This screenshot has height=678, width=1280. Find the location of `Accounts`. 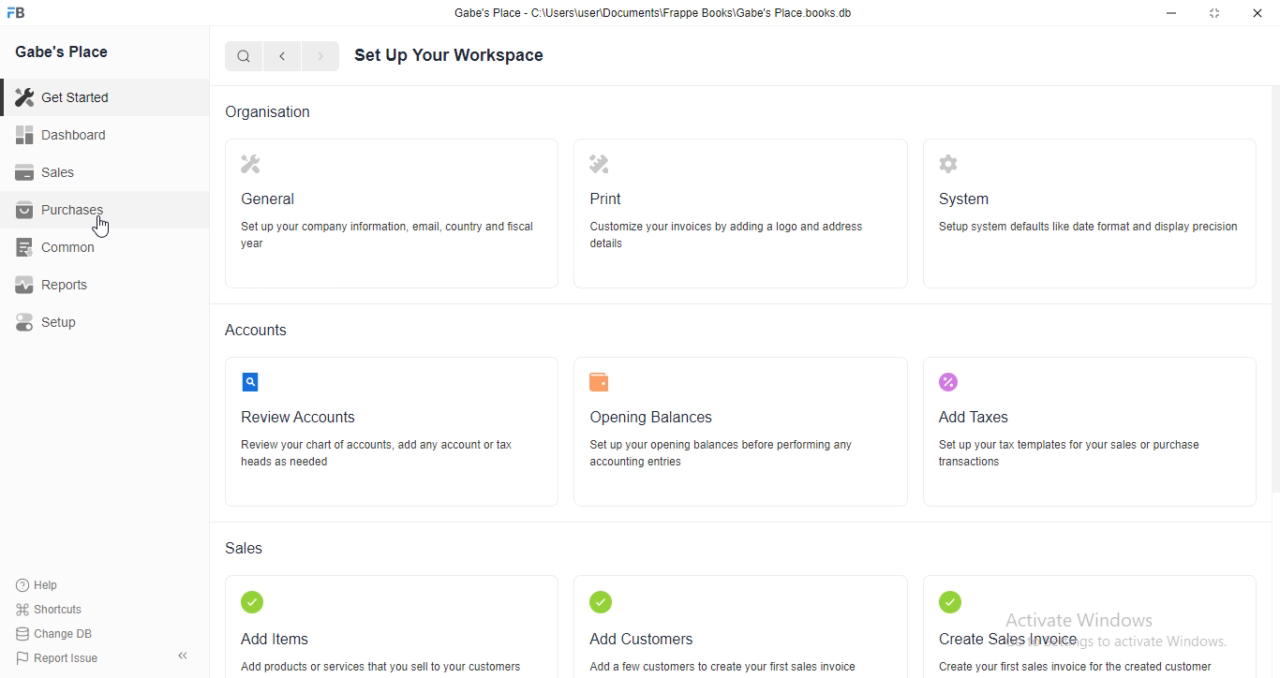

Accounts is located at coordinates (258, 330).